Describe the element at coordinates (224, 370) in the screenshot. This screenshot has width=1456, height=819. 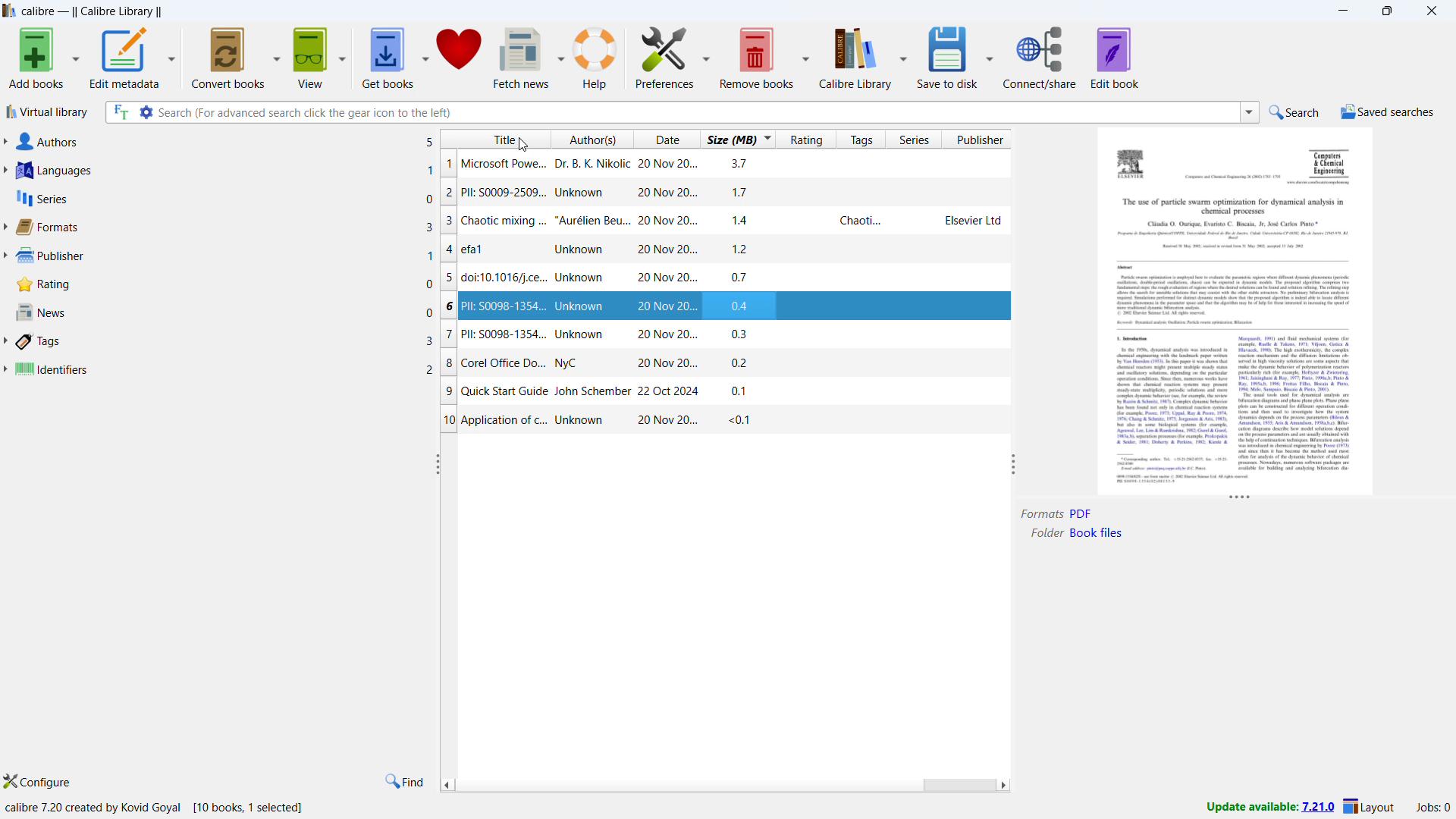
I see `identifiers` at that location.